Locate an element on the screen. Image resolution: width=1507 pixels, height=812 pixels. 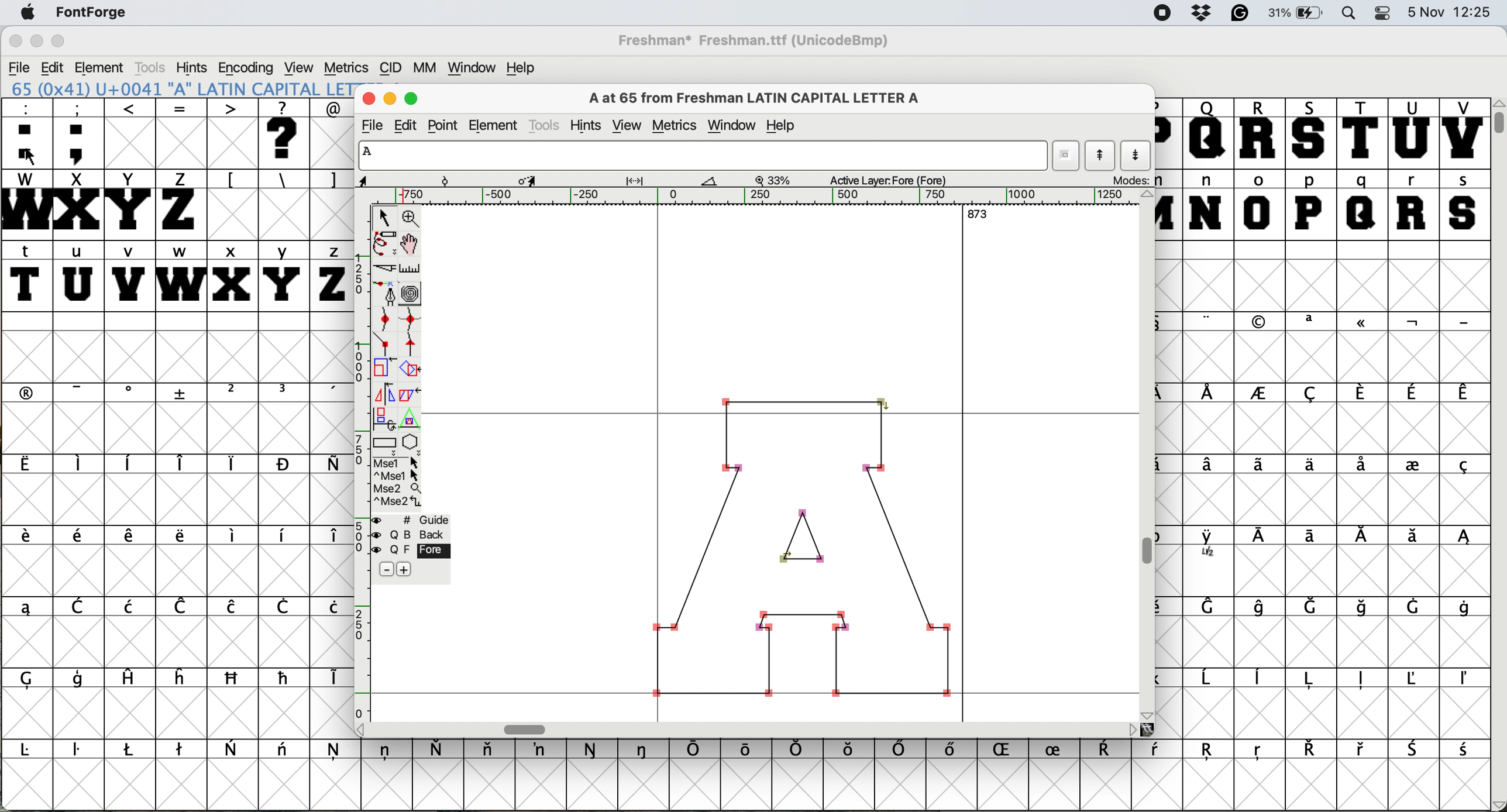
symbol is located at coordinates (82, 392).